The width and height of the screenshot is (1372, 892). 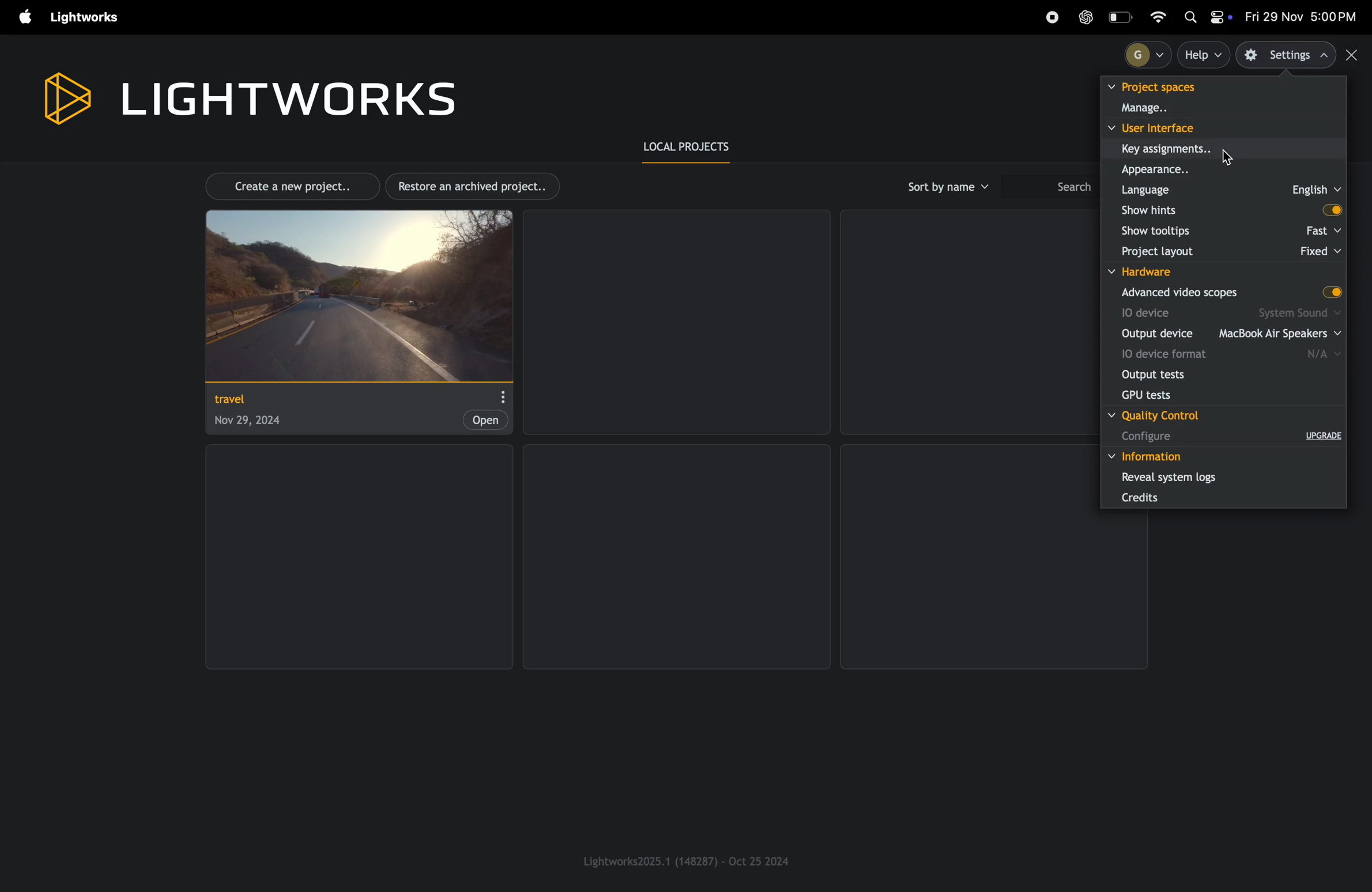 I want to click on project spaces, so click(x=1204, y=86).